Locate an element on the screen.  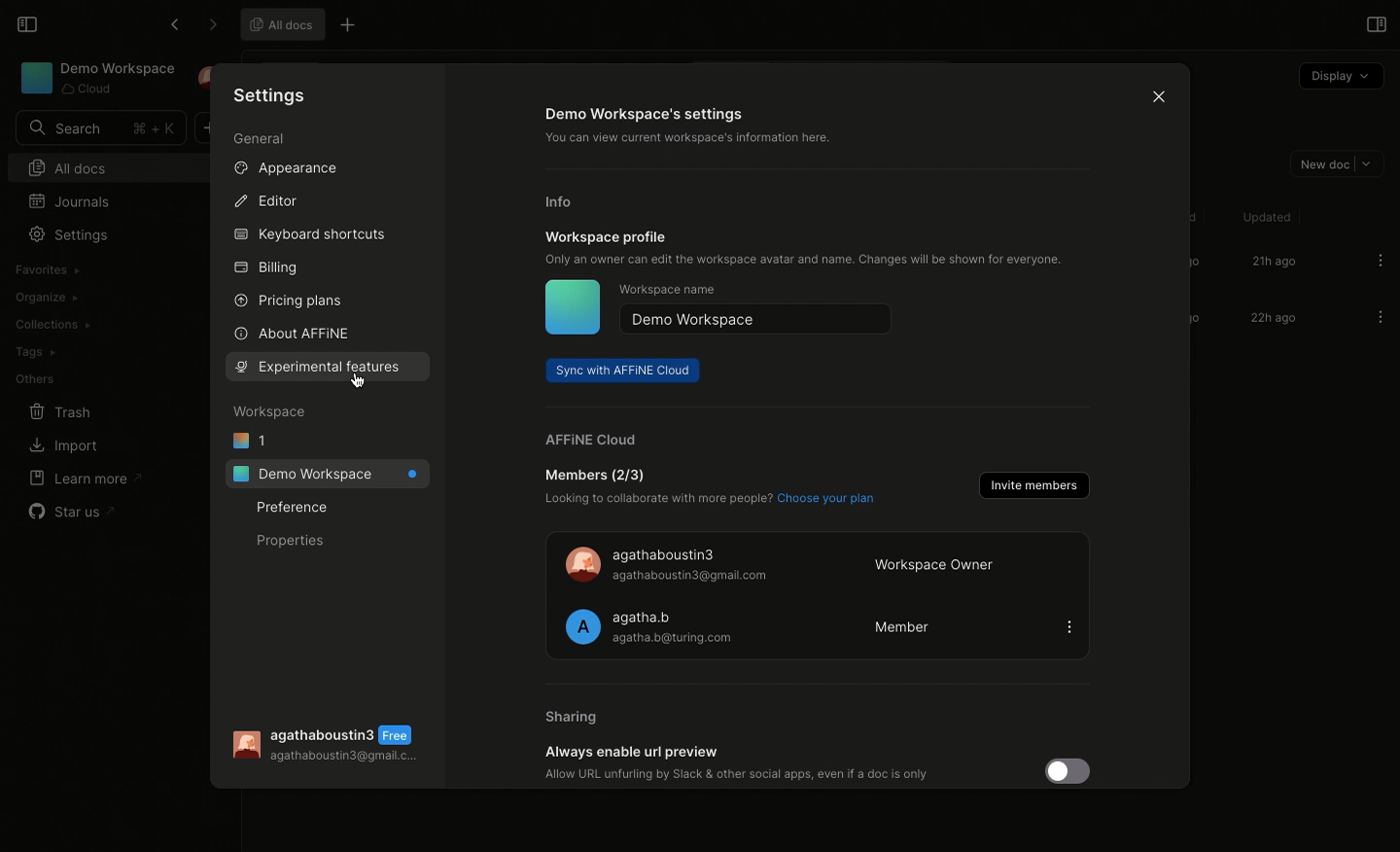
AFFINE cloud is located at coordinates (585, 439).